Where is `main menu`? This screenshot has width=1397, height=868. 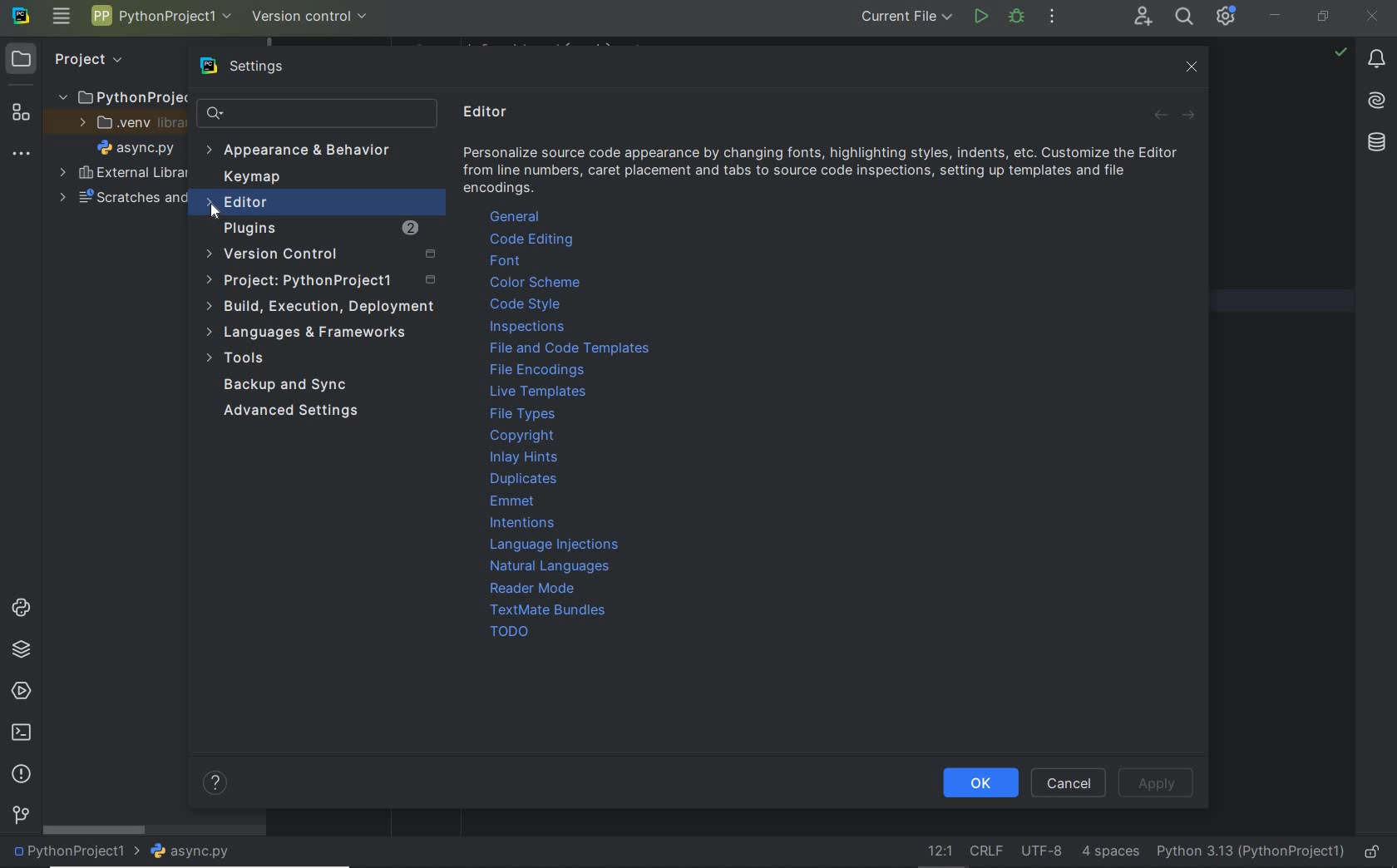 main menu is located at coordinates (62, 18).